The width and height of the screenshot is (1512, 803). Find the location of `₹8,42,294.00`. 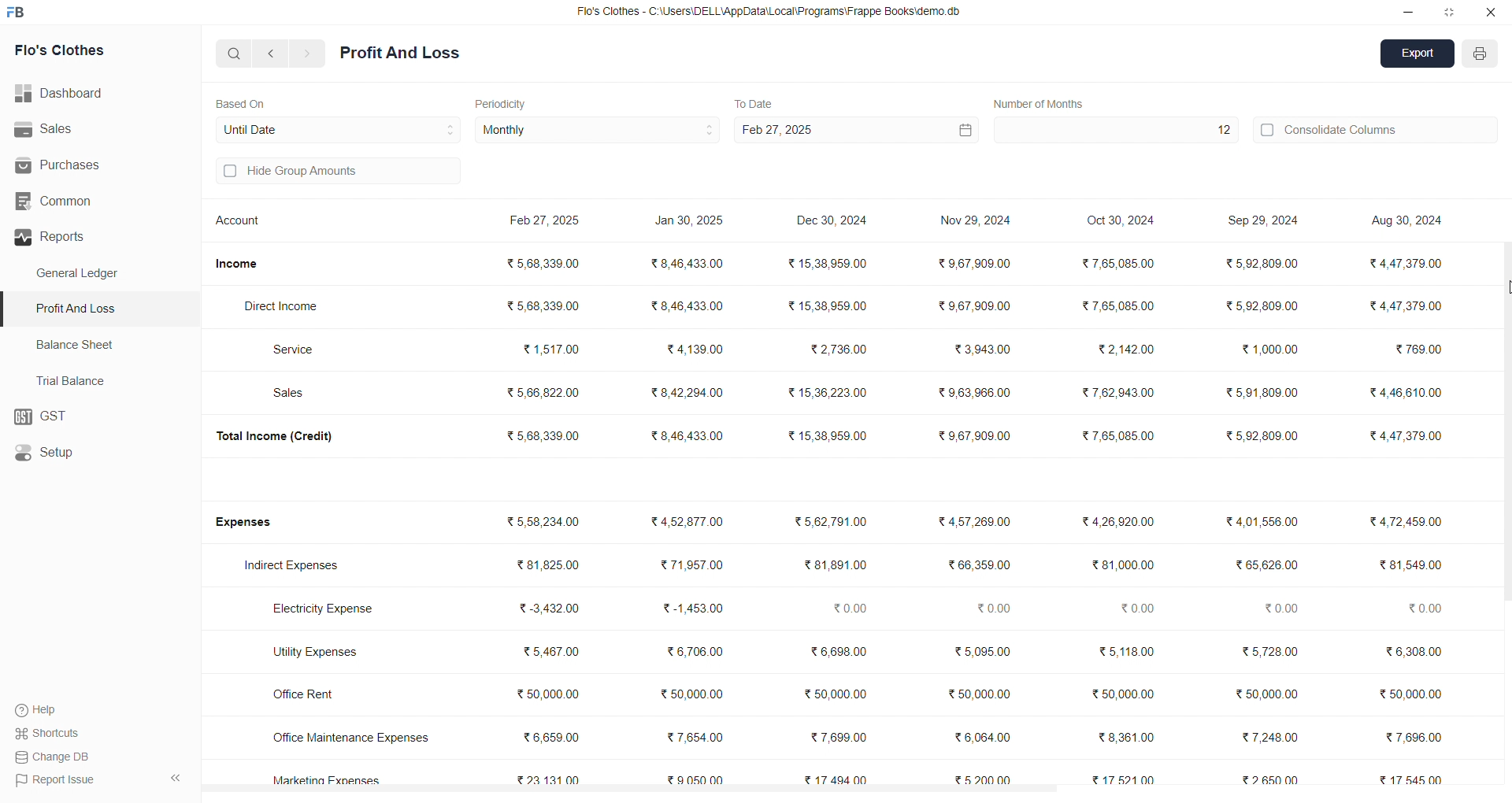

₹8,42,294.00 is located at coordinates (686, 393).